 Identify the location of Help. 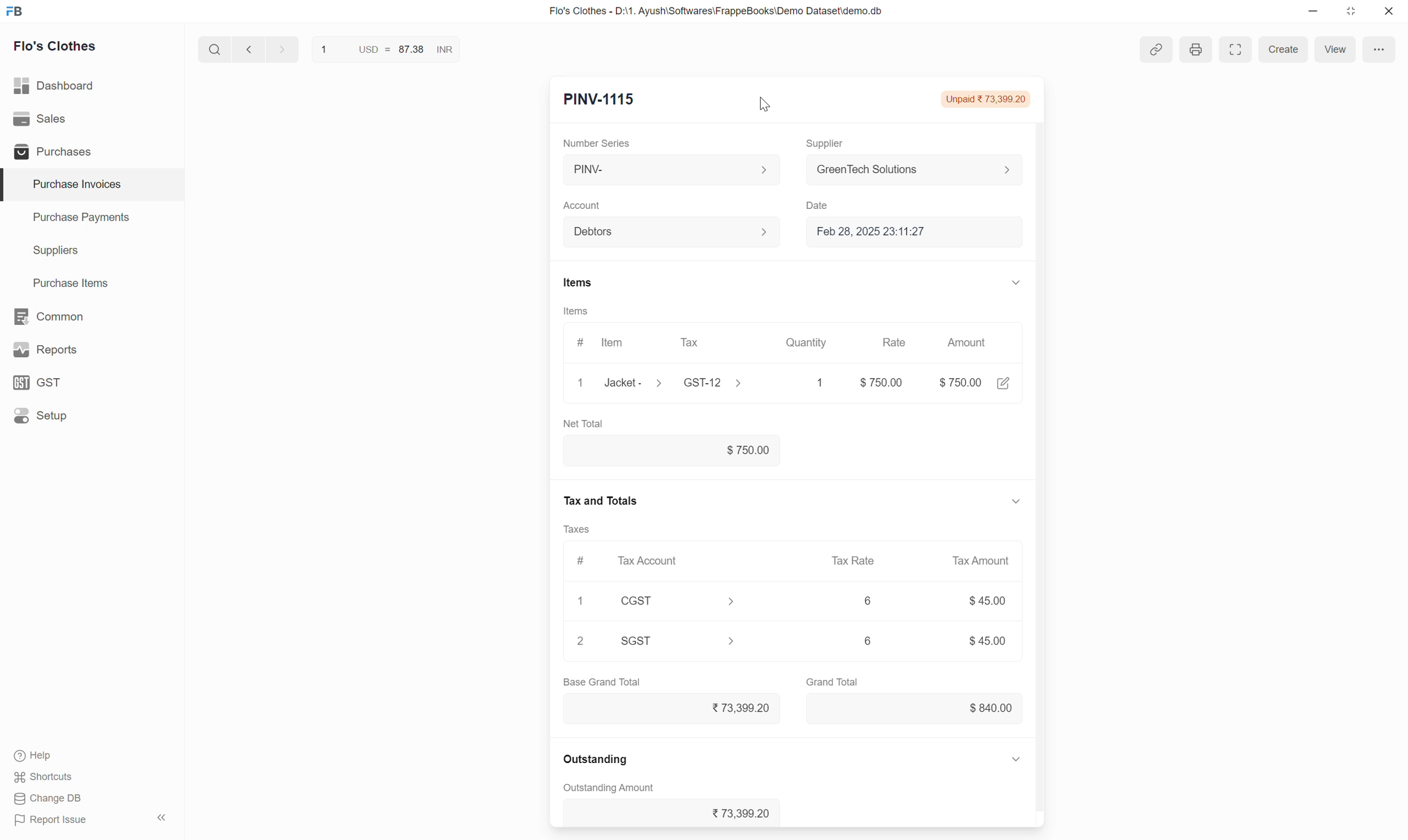
(36, 756).